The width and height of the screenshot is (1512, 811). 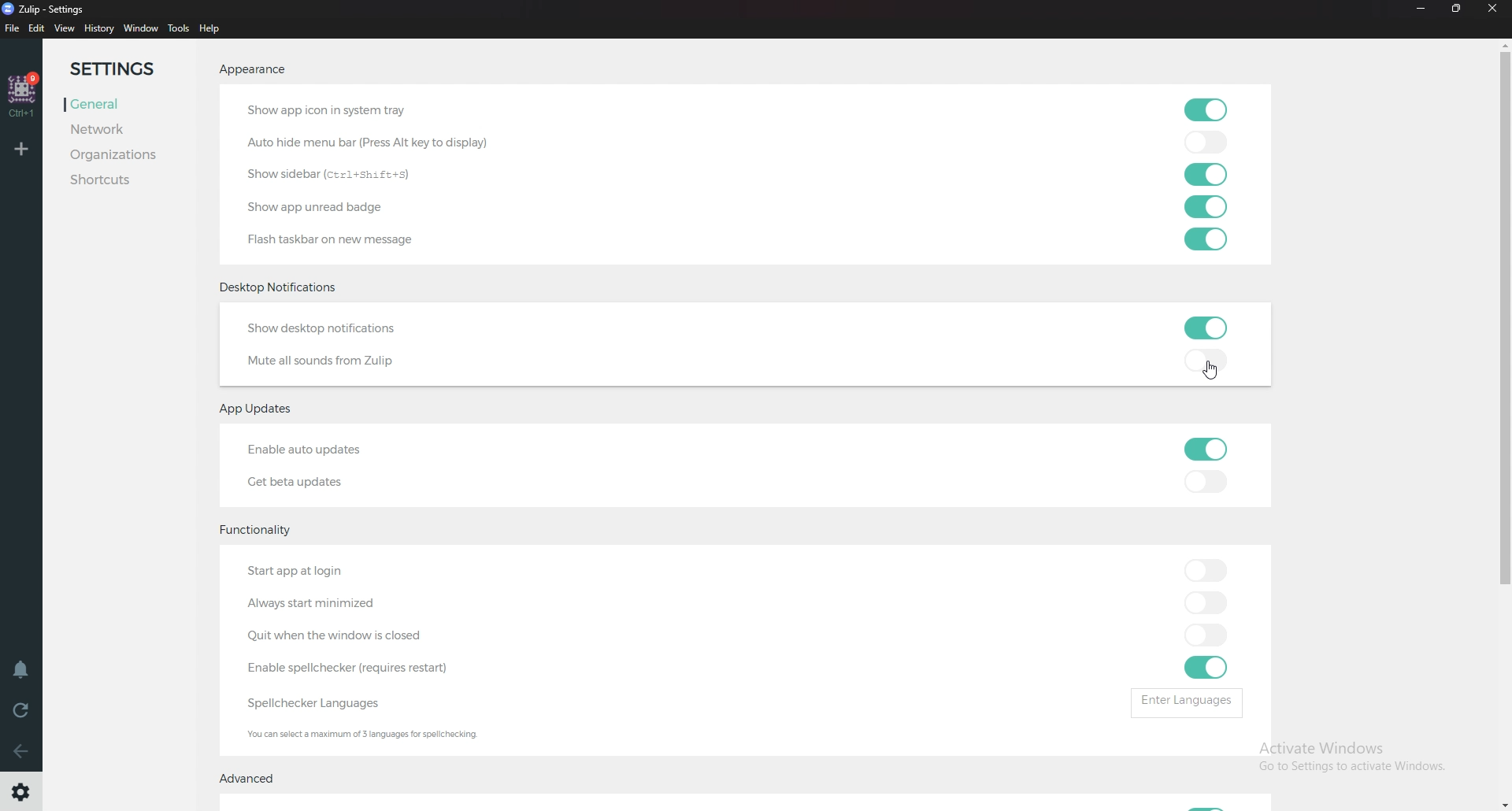 What do you see at coordinates (250, 72) in the screenshot?
I see `Appearance` at bounding box center [250, 72].